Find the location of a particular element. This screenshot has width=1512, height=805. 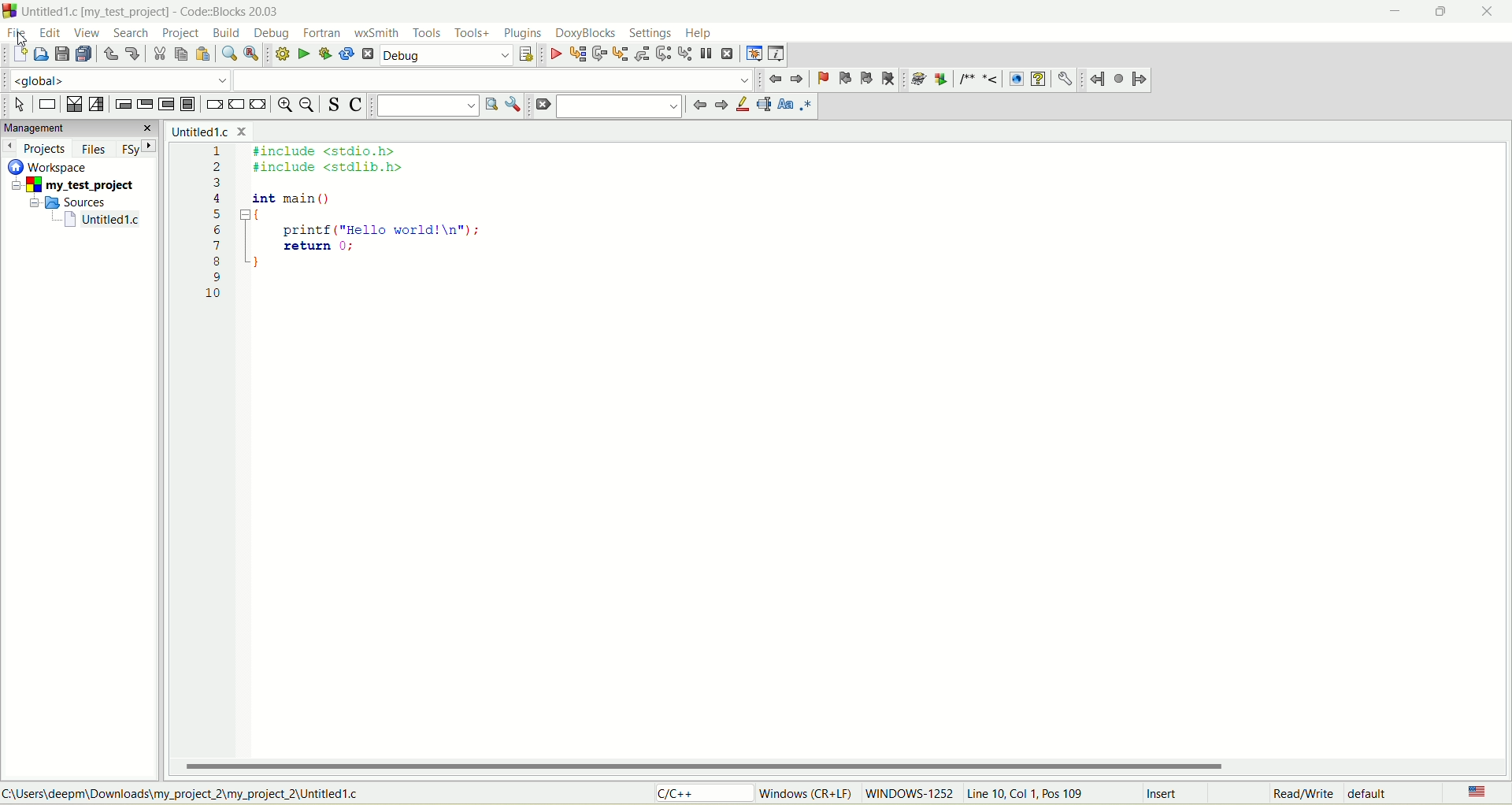

copy is located at coordinates (180, 54).